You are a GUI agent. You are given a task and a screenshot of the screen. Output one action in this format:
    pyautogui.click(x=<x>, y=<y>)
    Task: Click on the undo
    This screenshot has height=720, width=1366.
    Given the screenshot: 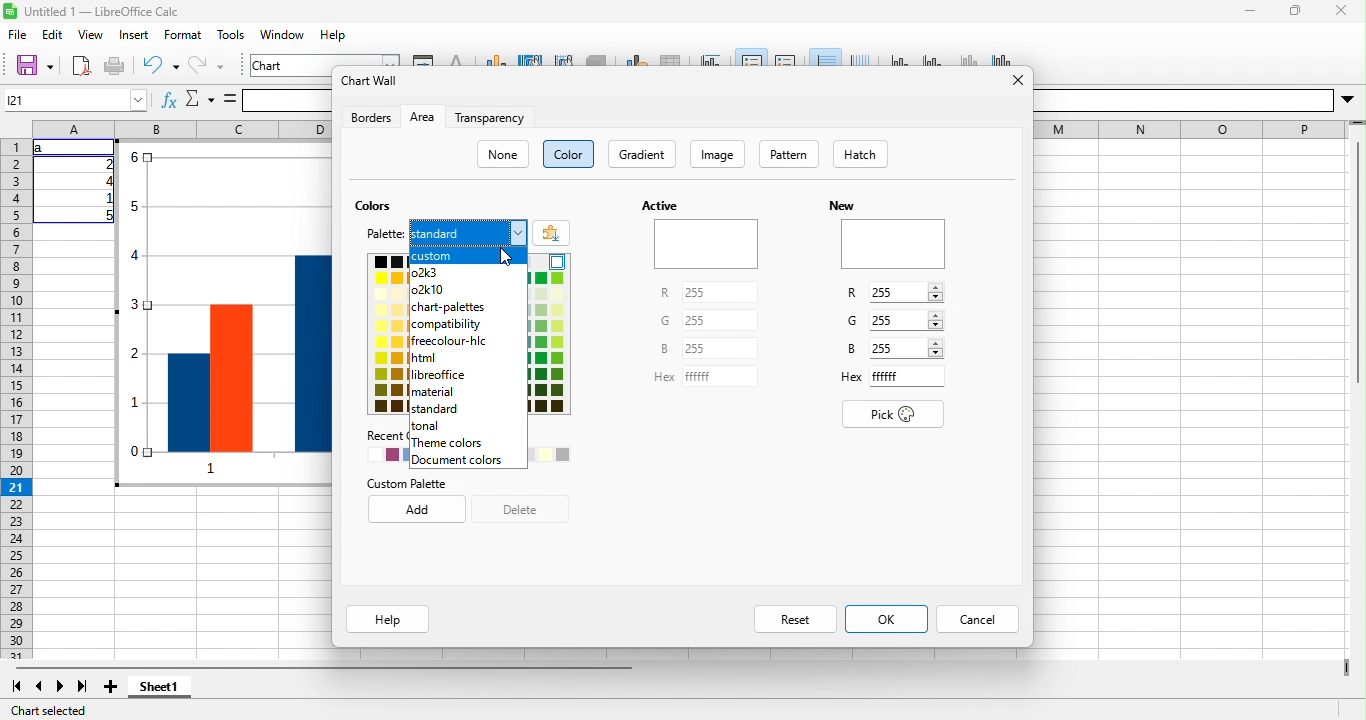 What is the action you would take?
    pyautogui.click(x=161, y=66)
    